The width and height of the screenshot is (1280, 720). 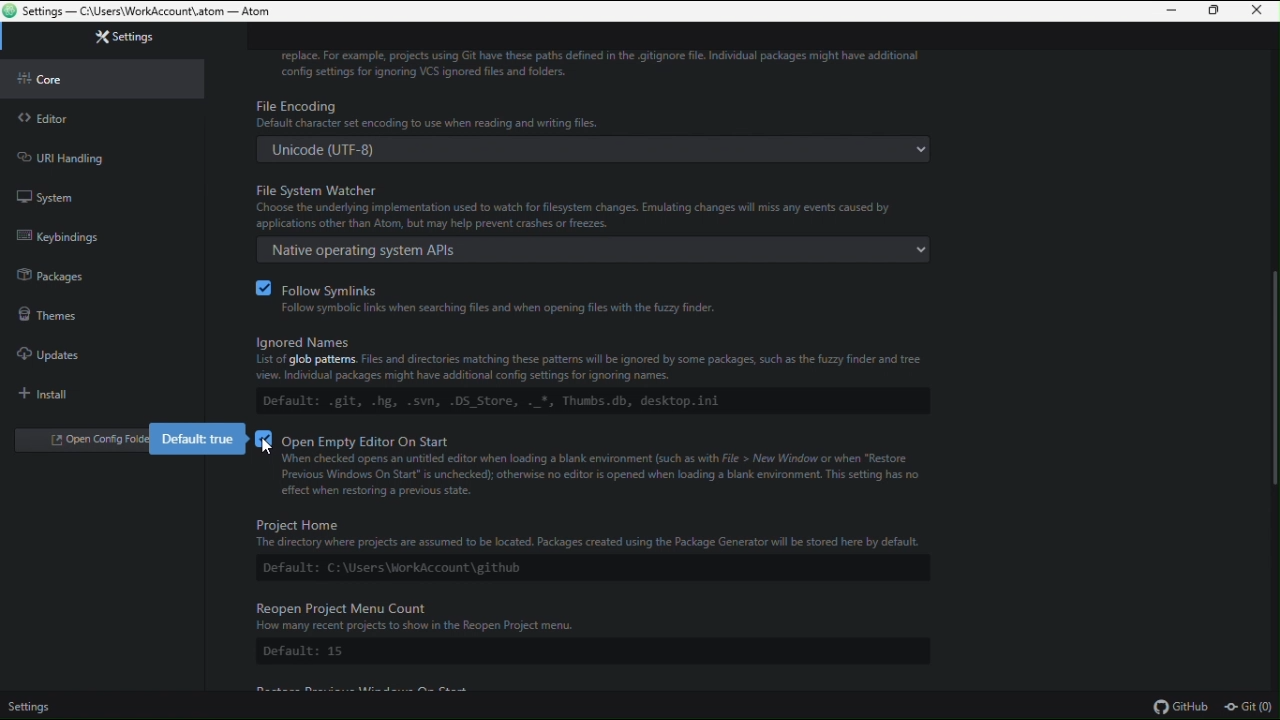 I want to click on Url handling, so click(x=70, y=155).